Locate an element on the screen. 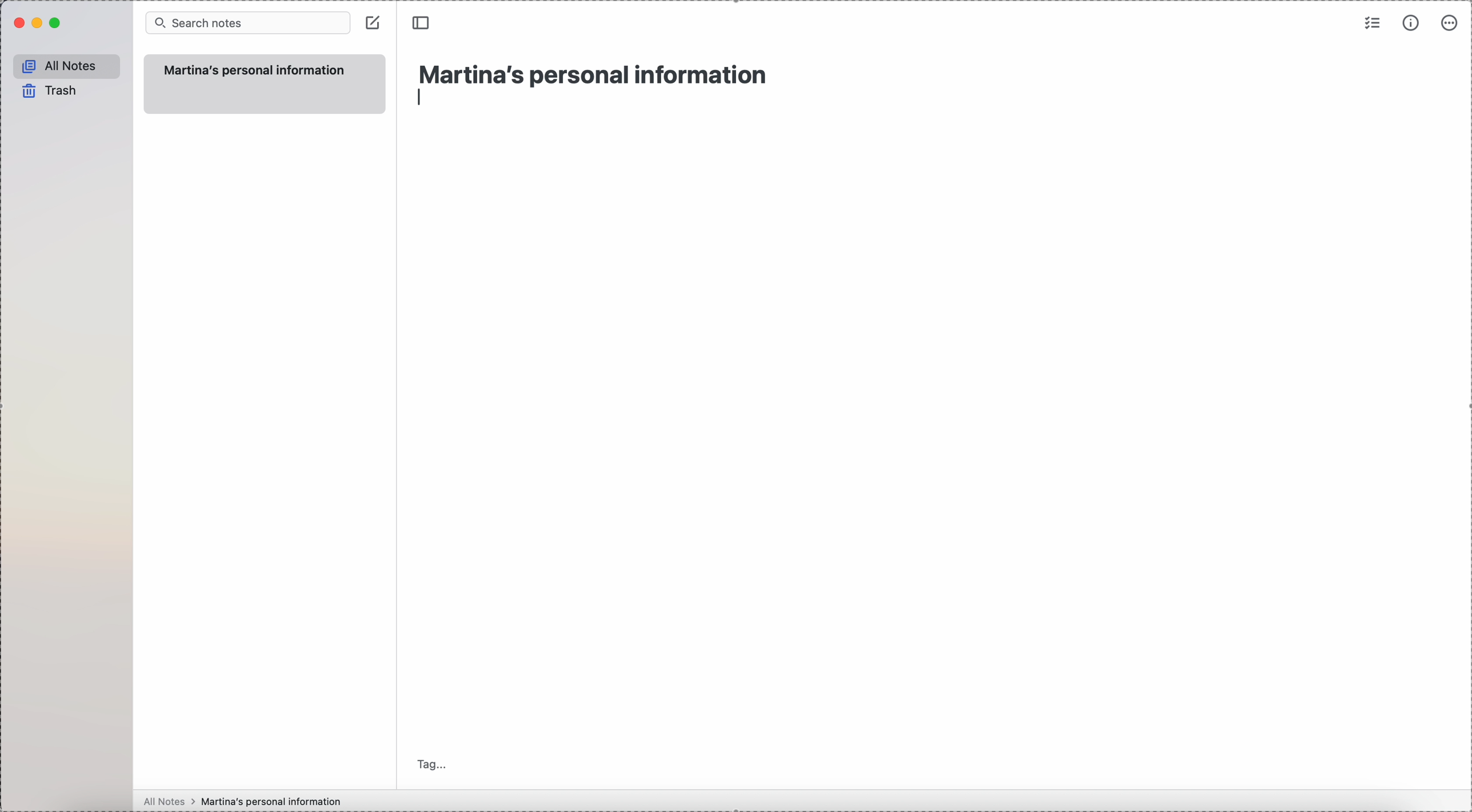 Image resolution: width=1472 pixels, height=812 pixels. all notes > Martina's personal information is located at coordinates (238, 800).